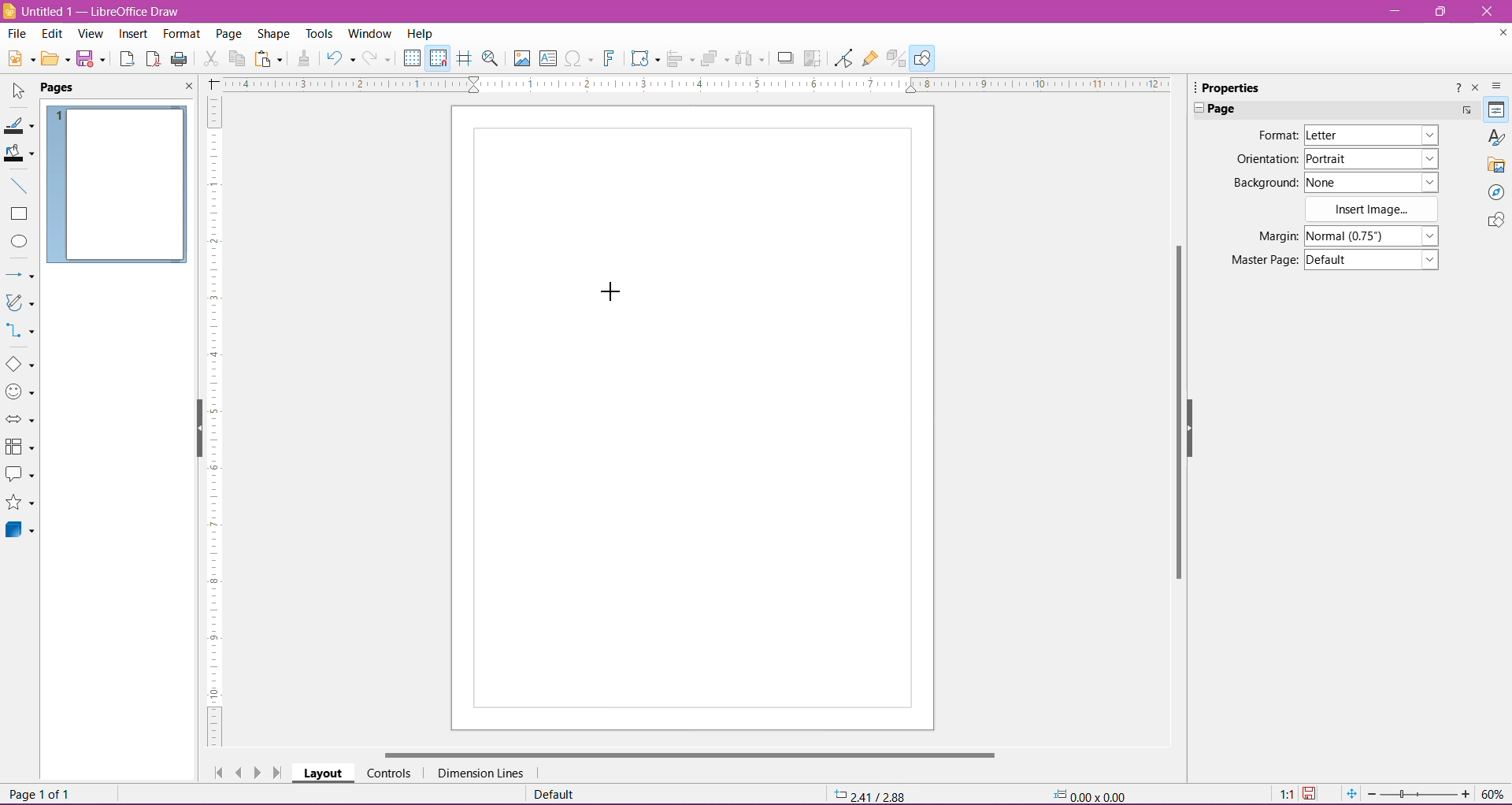 This screenshot has width=1512, height=805. Describe the element at coordinates (323, 773) in the screenshot. I see `Layout` at that location.